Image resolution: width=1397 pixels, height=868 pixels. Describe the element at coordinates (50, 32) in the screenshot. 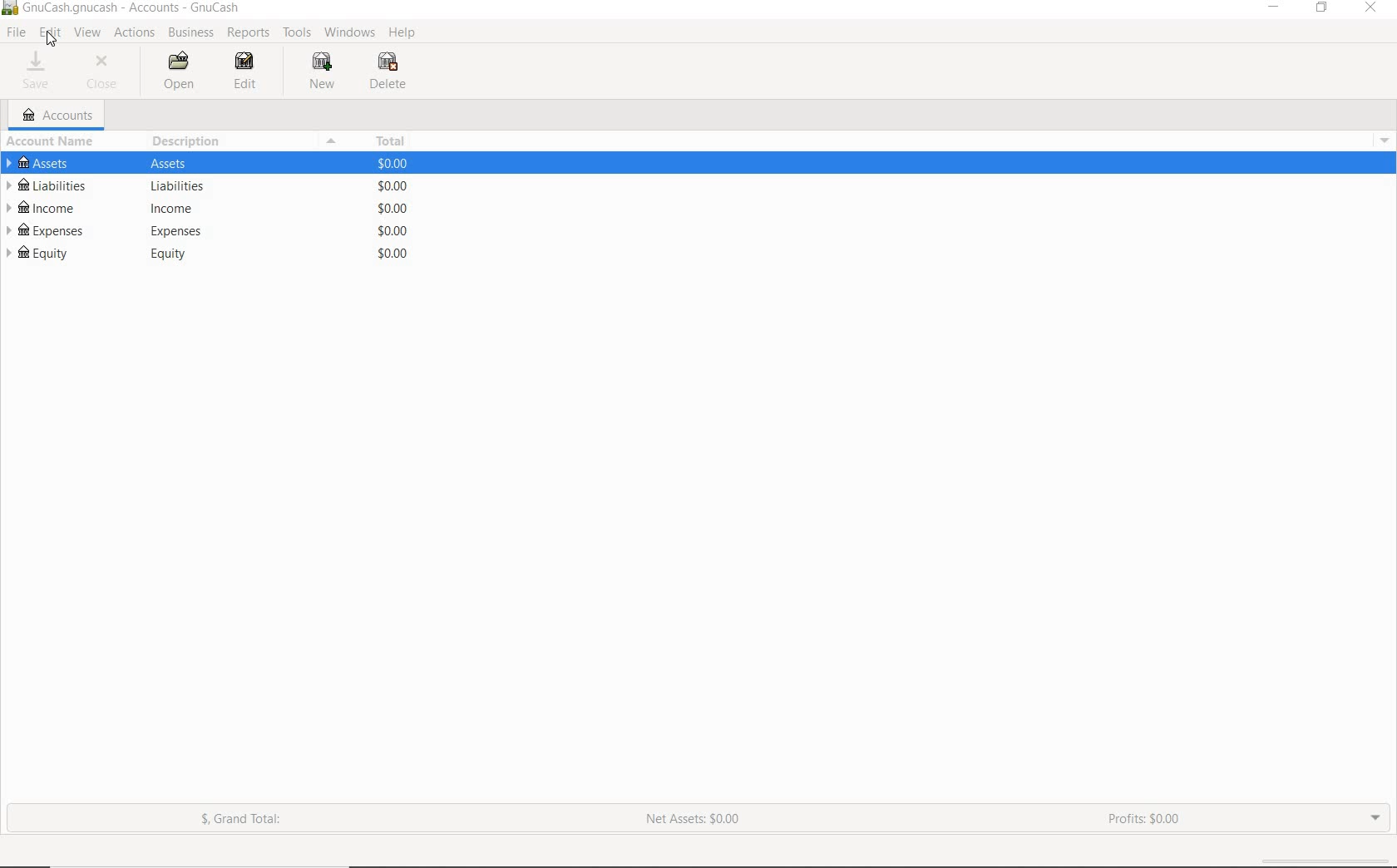

I see `EDIT` at that location.